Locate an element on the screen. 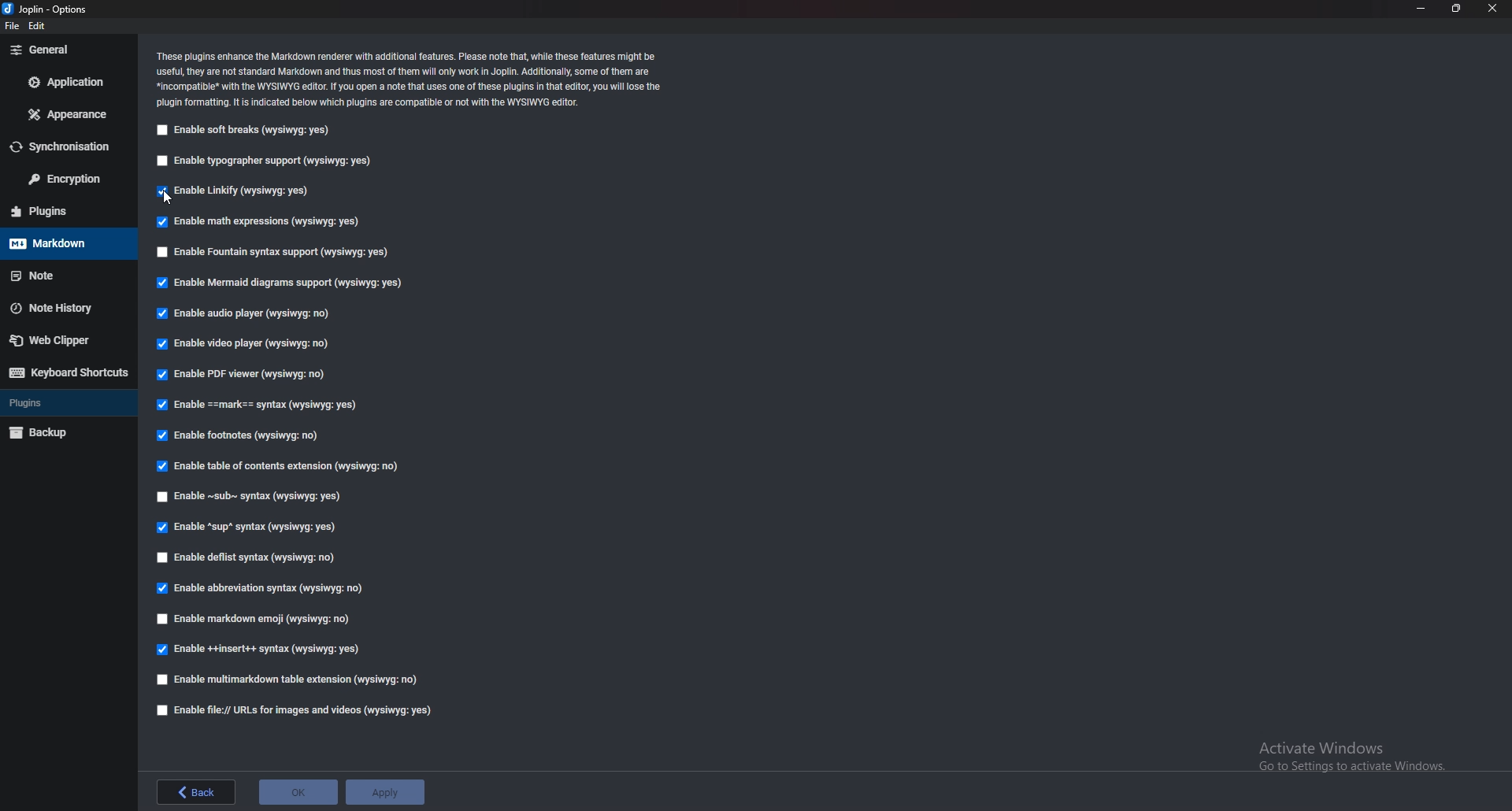  Note history is located at coordinates (61, 308).